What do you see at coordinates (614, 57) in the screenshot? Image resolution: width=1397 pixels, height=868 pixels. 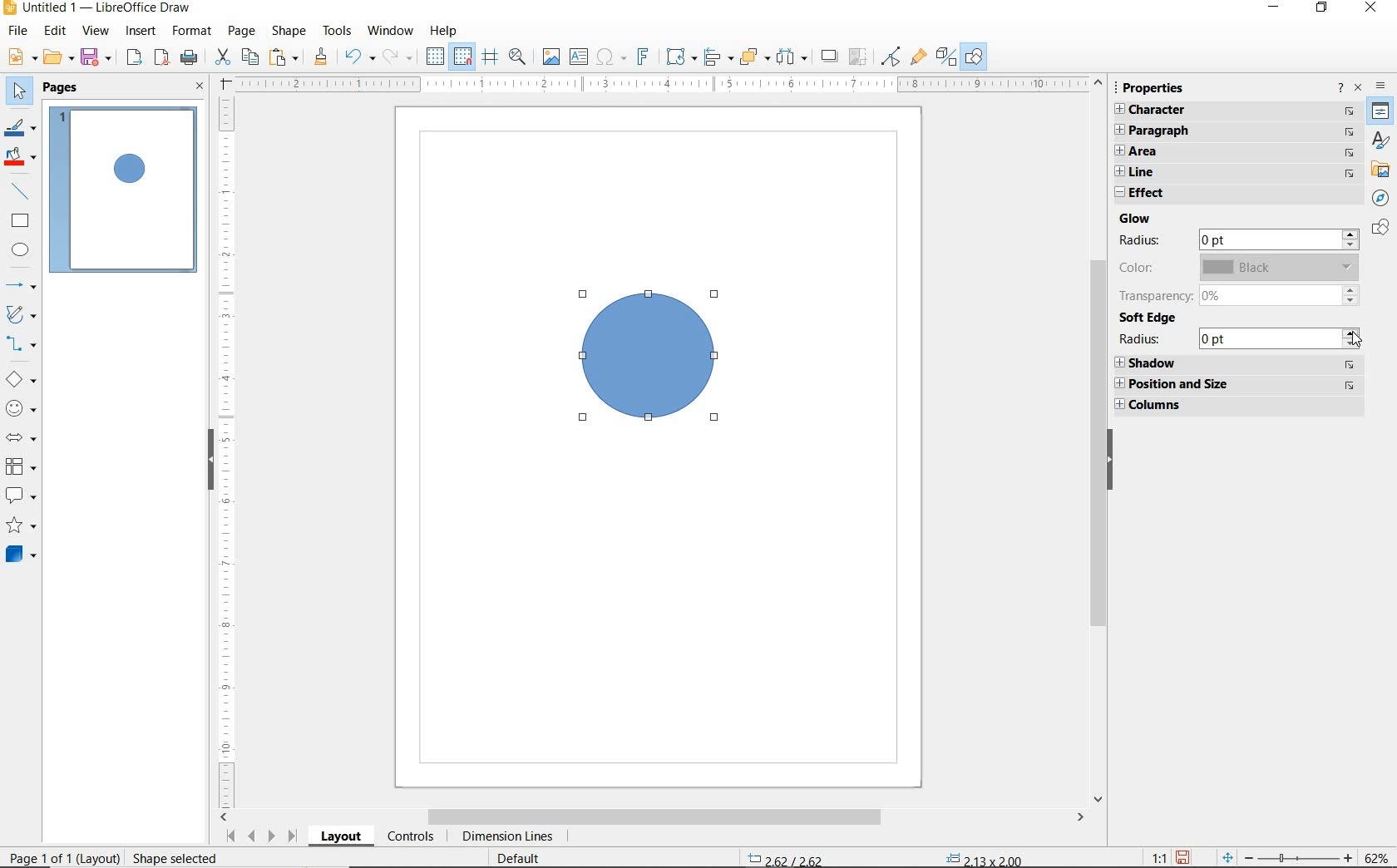 I see `INSERT SPECIAL CHARACTERS` at bounding box center [614, 57].